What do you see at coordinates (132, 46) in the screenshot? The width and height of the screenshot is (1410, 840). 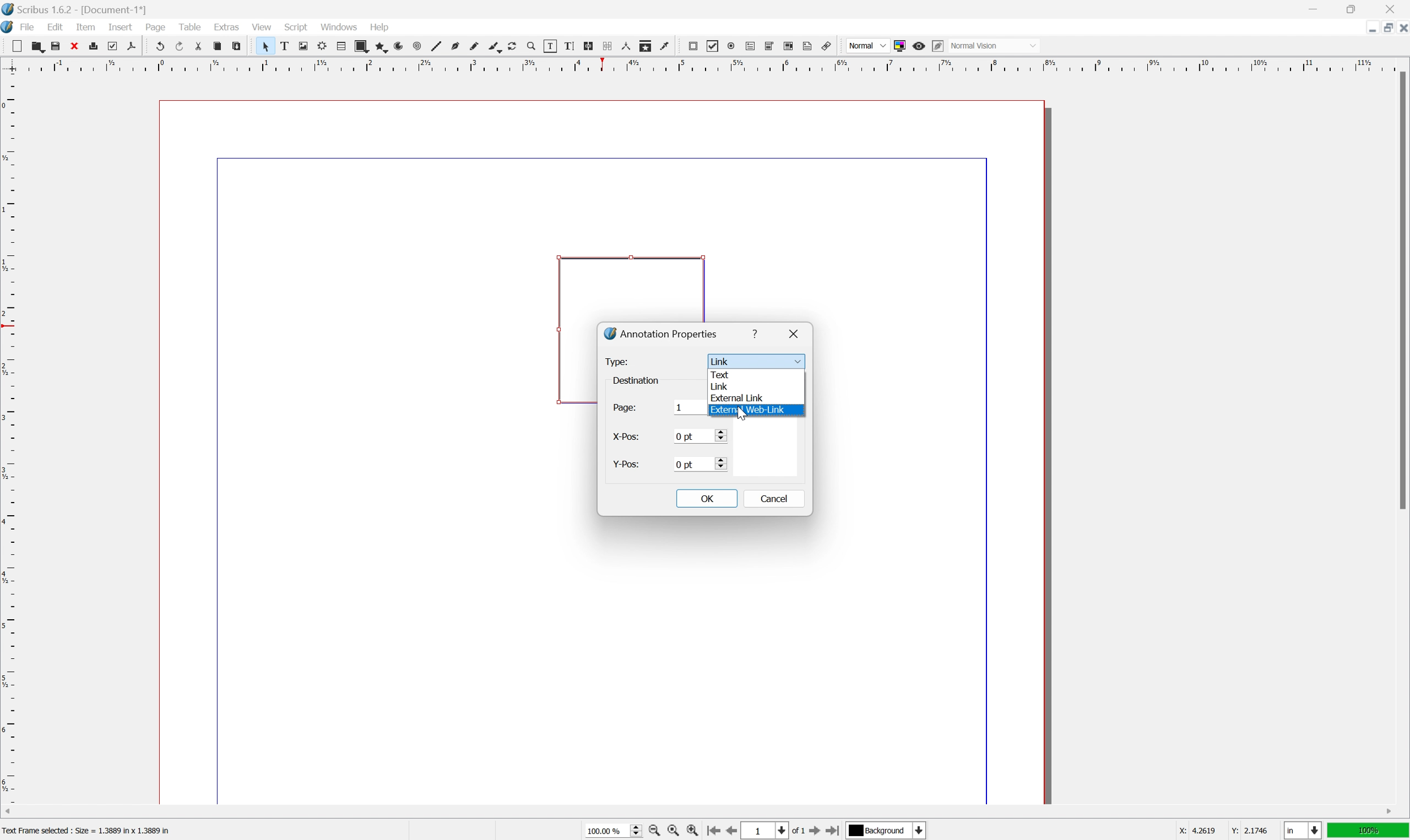 I see `save as pdf` at bounding box center [132, 46].